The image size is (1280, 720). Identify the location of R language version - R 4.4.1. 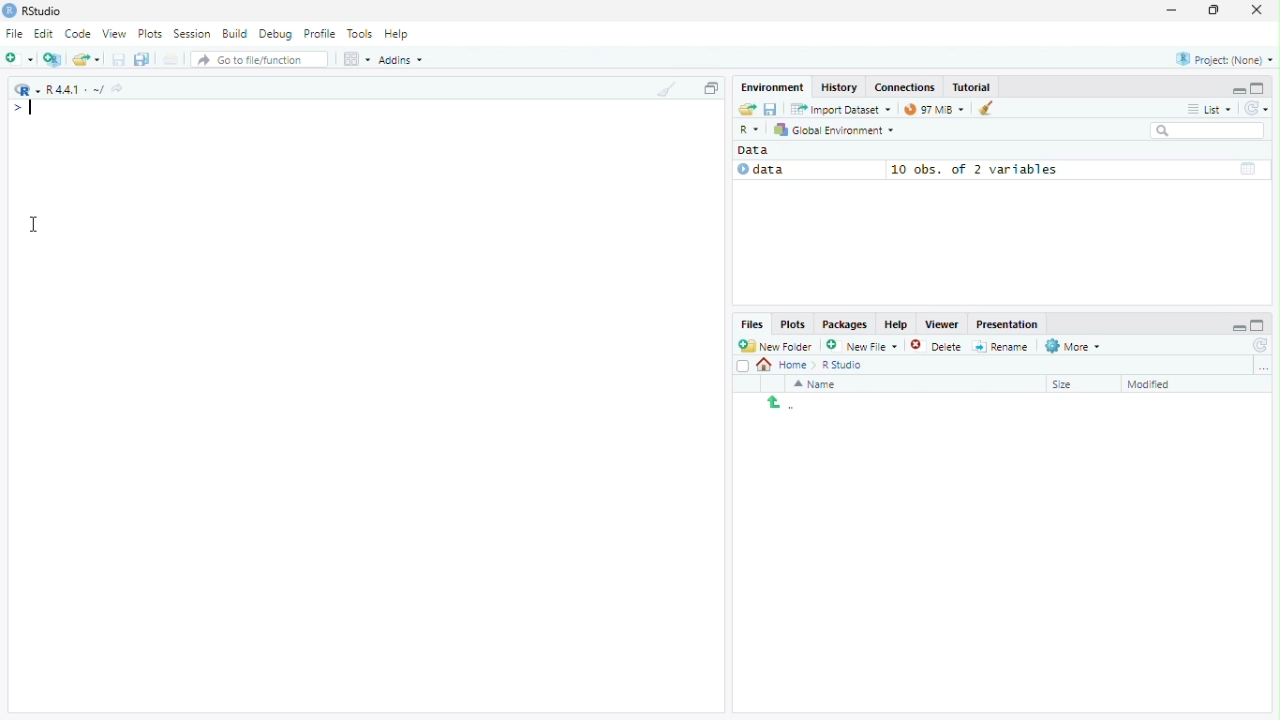
(75, 88).